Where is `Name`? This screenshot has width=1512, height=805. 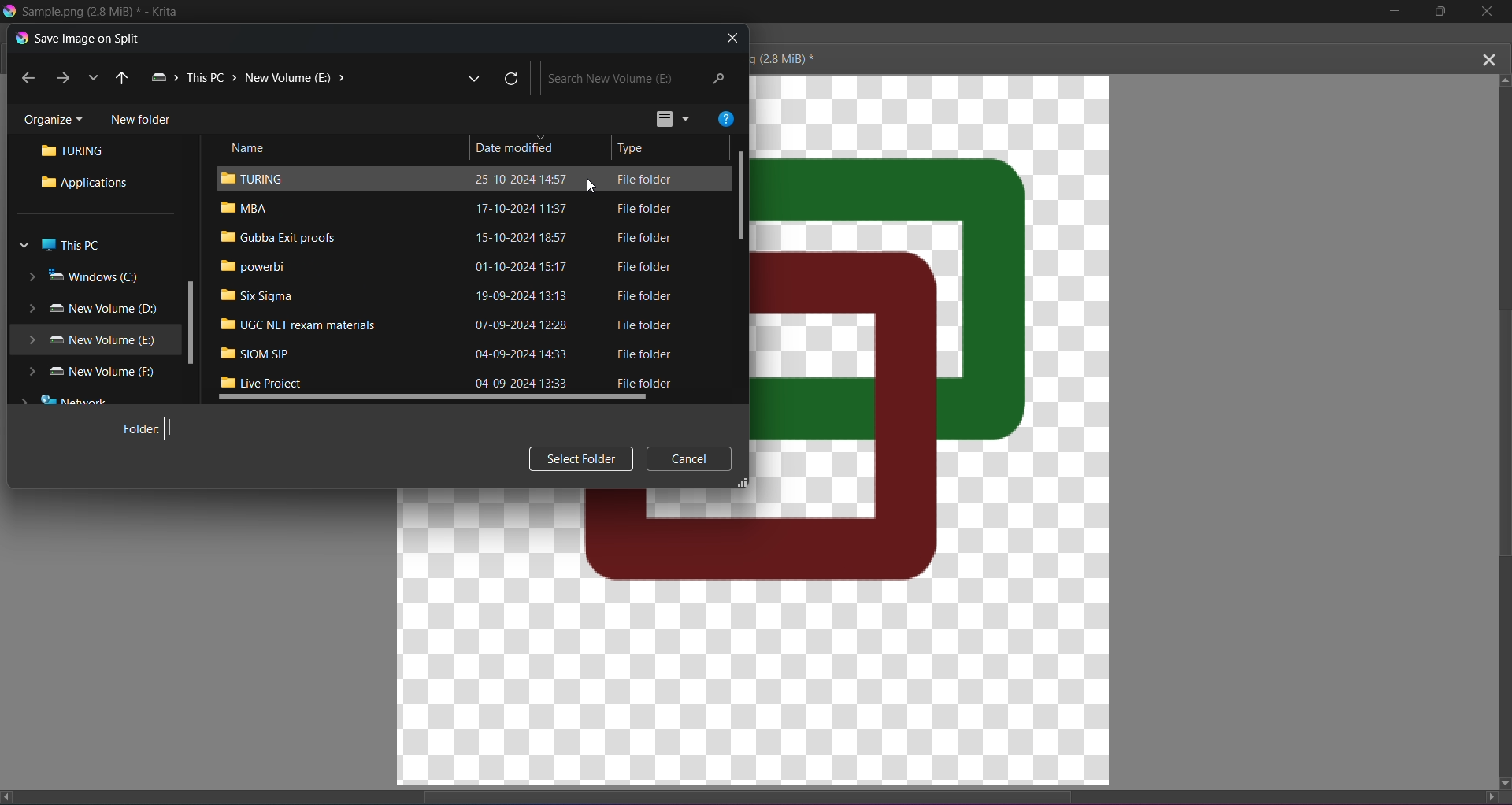
Name is located at coordinates (249, 147).